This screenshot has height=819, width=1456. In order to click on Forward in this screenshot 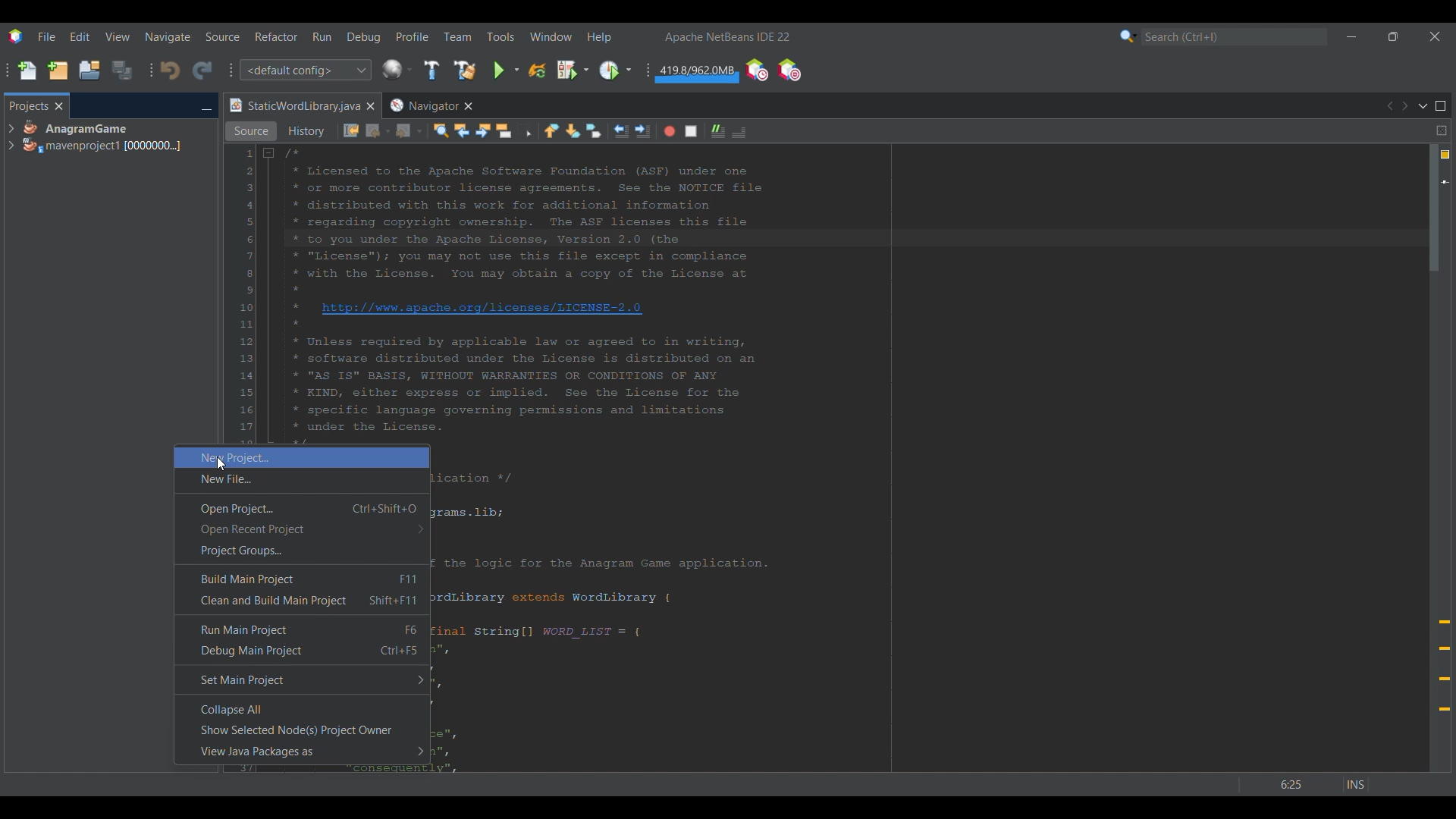, I will do `click(409, 131)`.